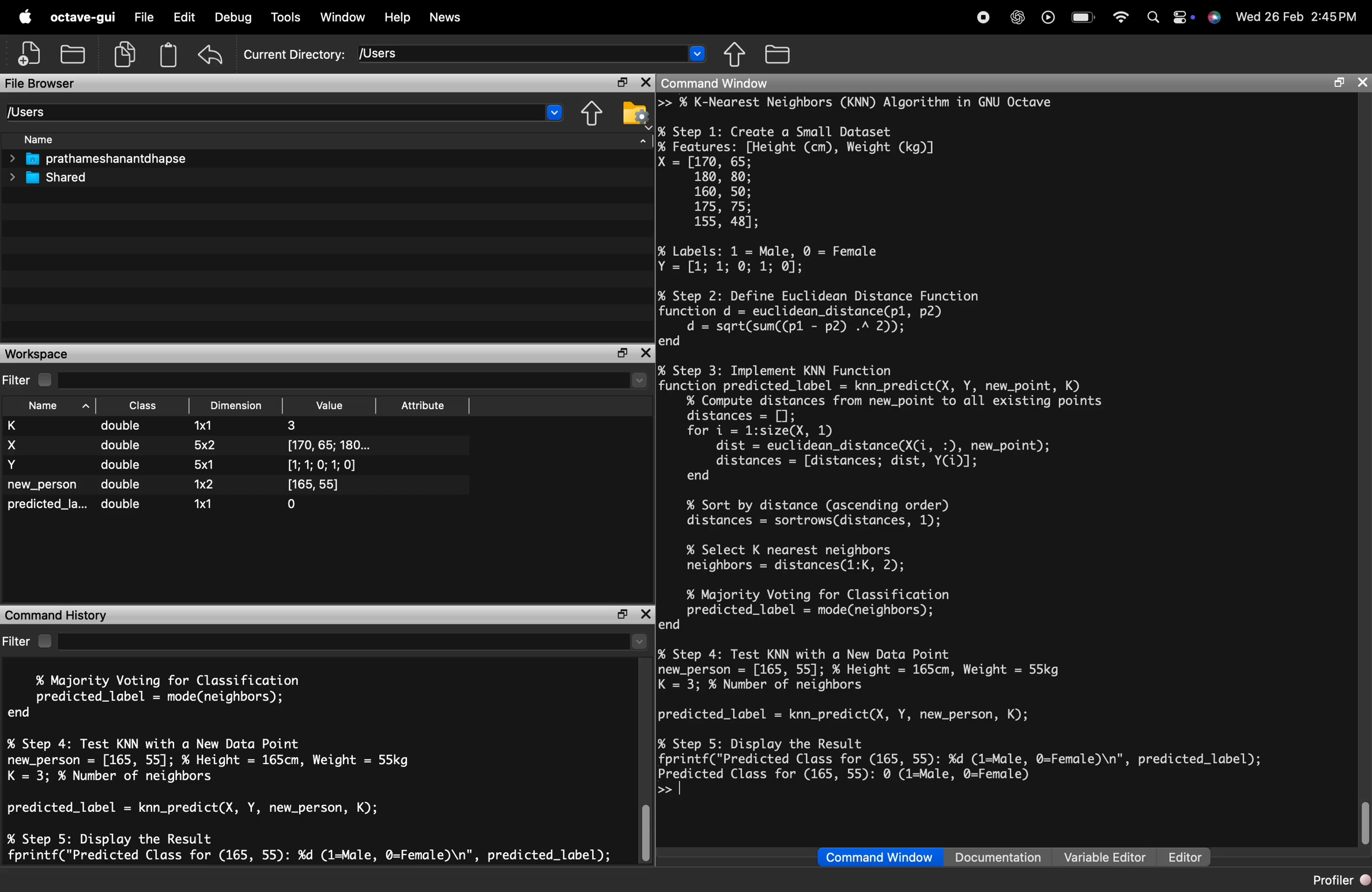  I want to click on % Select K nearest neighbors
neighbors = distances(1:K, 2);
% Majority Voting for Classification]
¢ predicted_label = mode(neighbors);
lend
% Step 4: Test KNN with a New Data Point]
hew_person = [165, 55]; % Height = 165cm, Weight = 55kg
K = 3; % Number of neighbors]
predicted_label = knn_predict(X, Y, new_person, K);
% Step 5: Display the Result
fprintf("Predicted Class for (165, 55): %d (1=Male, @=Female)\n", predicted_label);, so click(997, 653).